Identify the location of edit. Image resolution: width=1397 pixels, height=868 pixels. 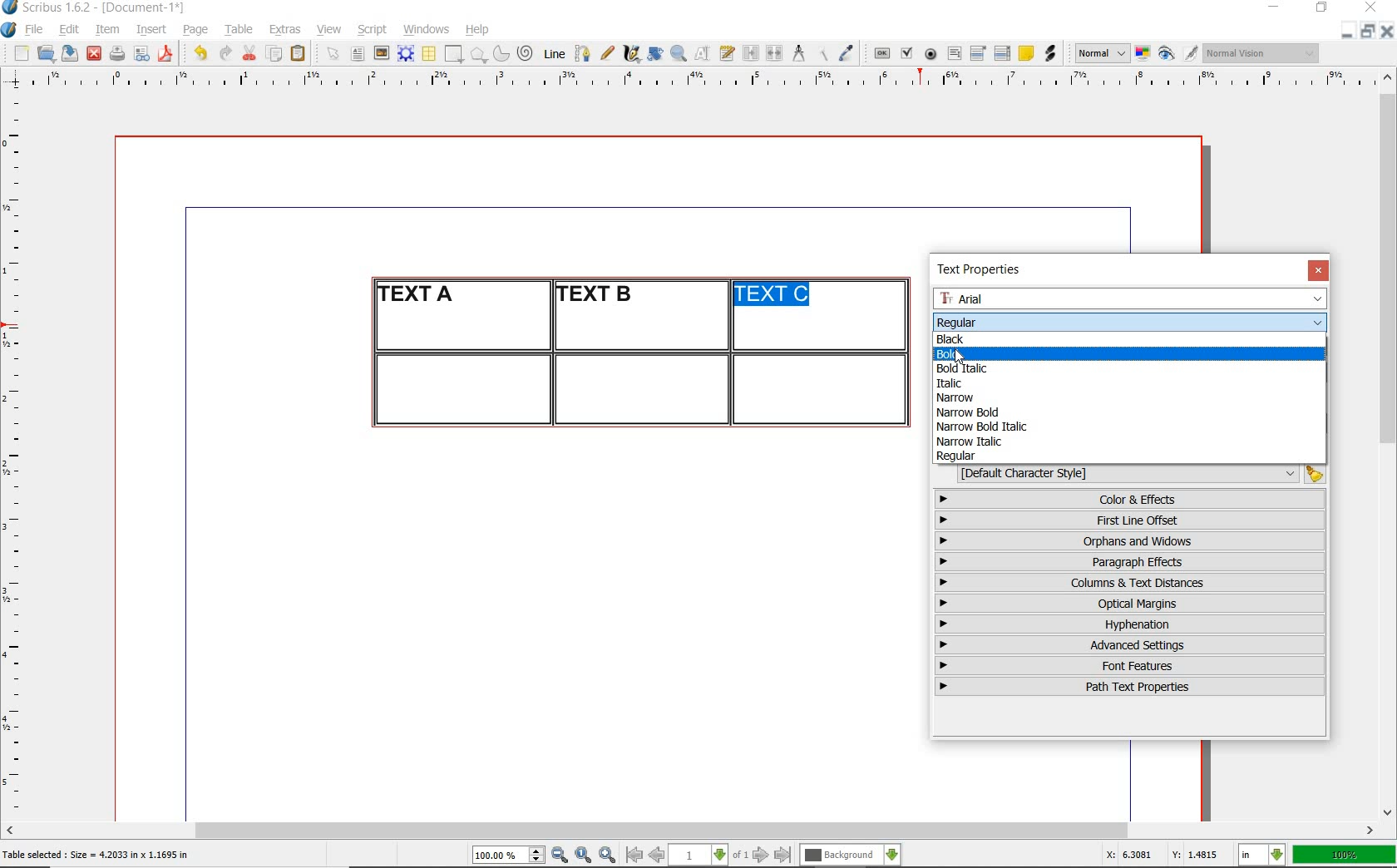
(70, 29).